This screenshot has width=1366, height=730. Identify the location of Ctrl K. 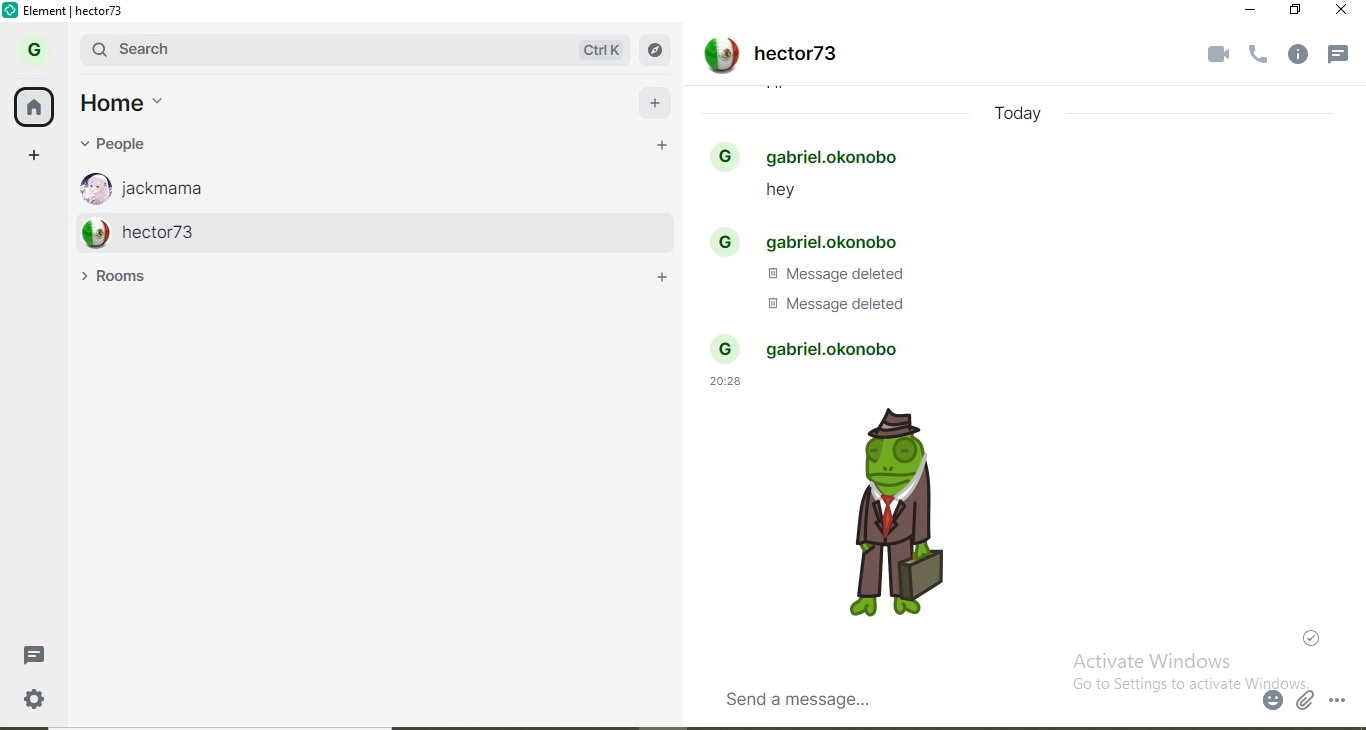
(602, 50).